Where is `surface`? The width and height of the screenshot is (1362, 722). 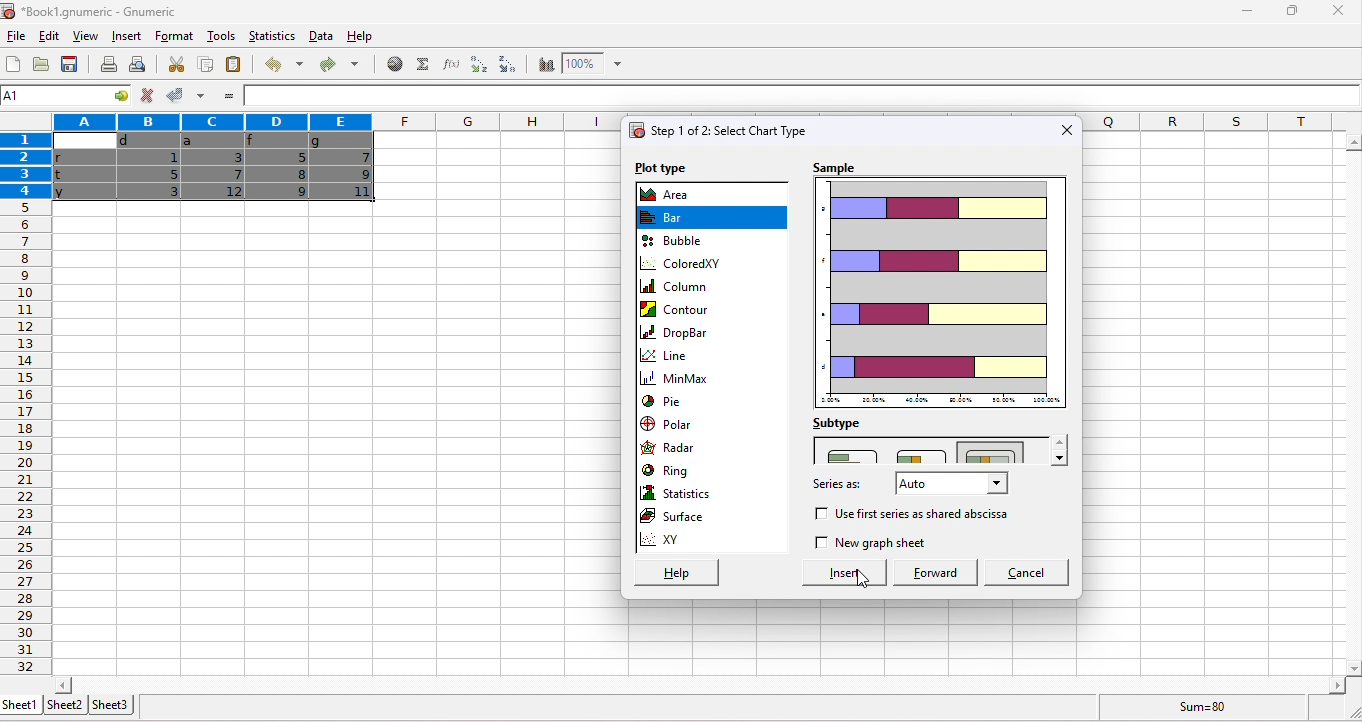 surface is located at coordinates (689, 518).